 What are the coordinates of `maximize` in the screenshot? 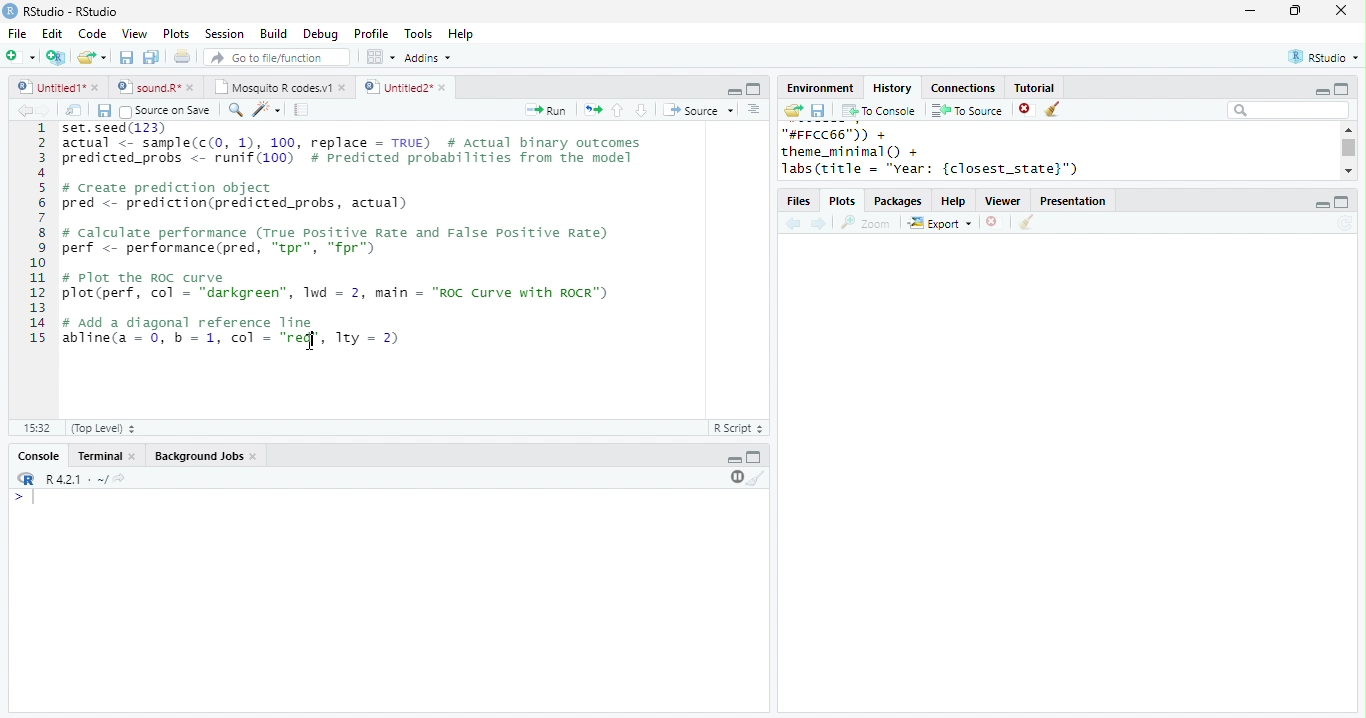 It's located at (1342, 202).